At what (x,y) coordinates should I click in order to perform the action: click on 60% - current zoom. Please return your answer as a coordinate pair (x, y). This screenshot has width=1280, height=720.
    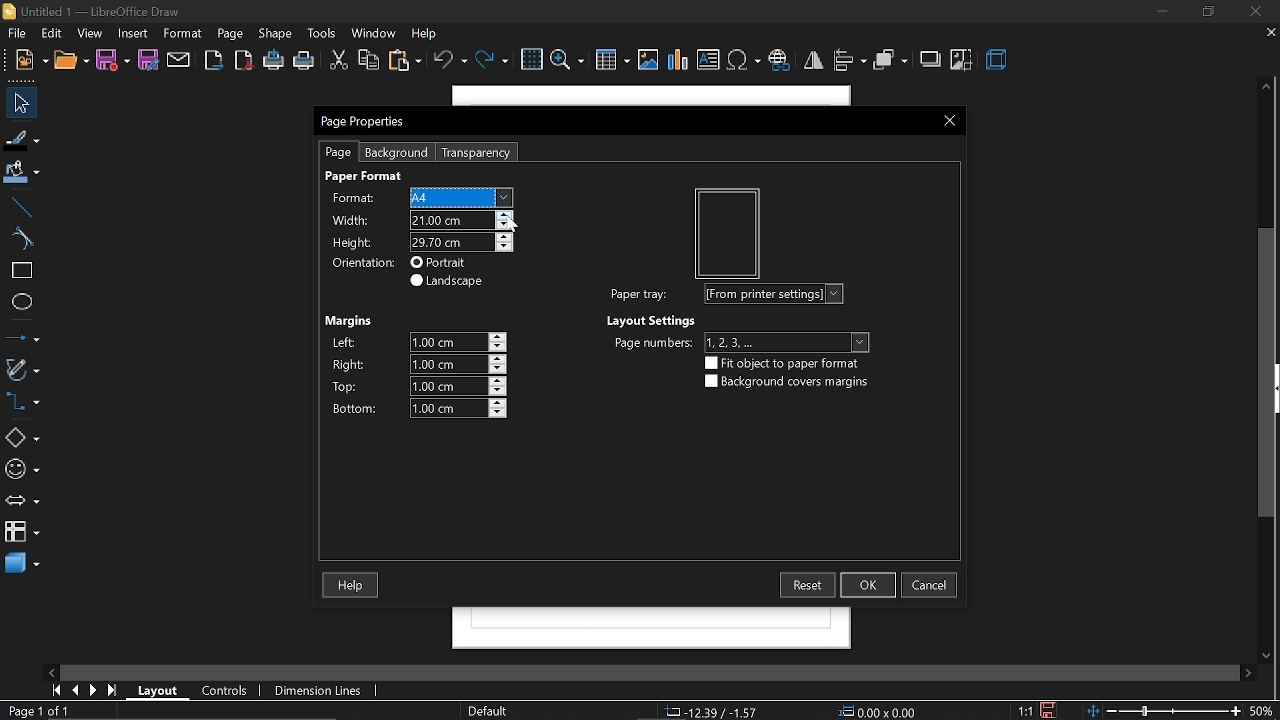
    Looking at the image, I should click on (1265, 708).